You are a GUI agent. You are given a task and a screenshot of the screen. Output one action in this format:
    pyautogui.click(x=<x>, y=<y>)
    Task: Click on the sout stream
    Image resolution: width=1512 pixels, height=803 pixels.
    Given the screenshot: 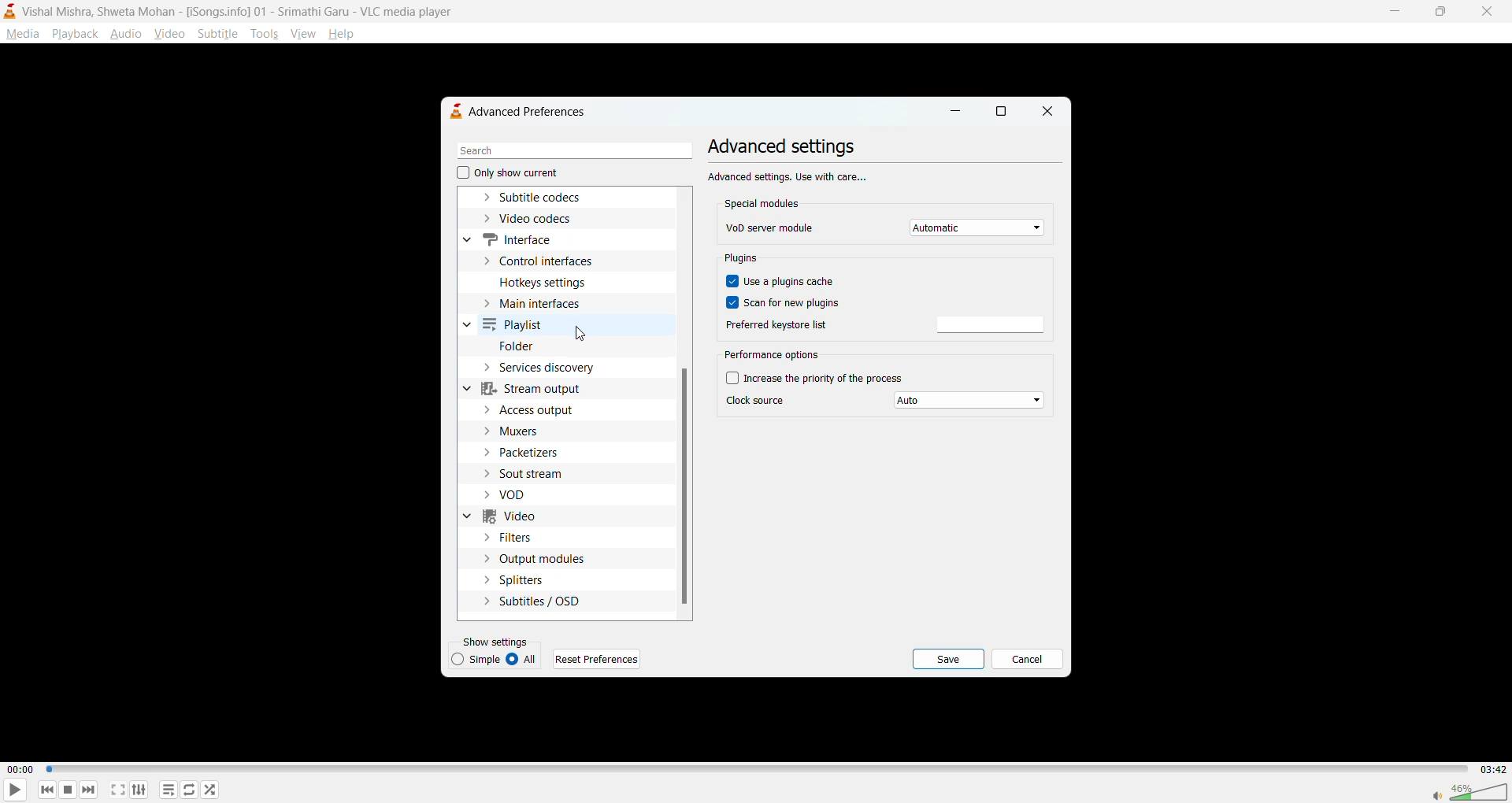 What is the action you would take?
    pyautogui.click(x=536, y=472)
    